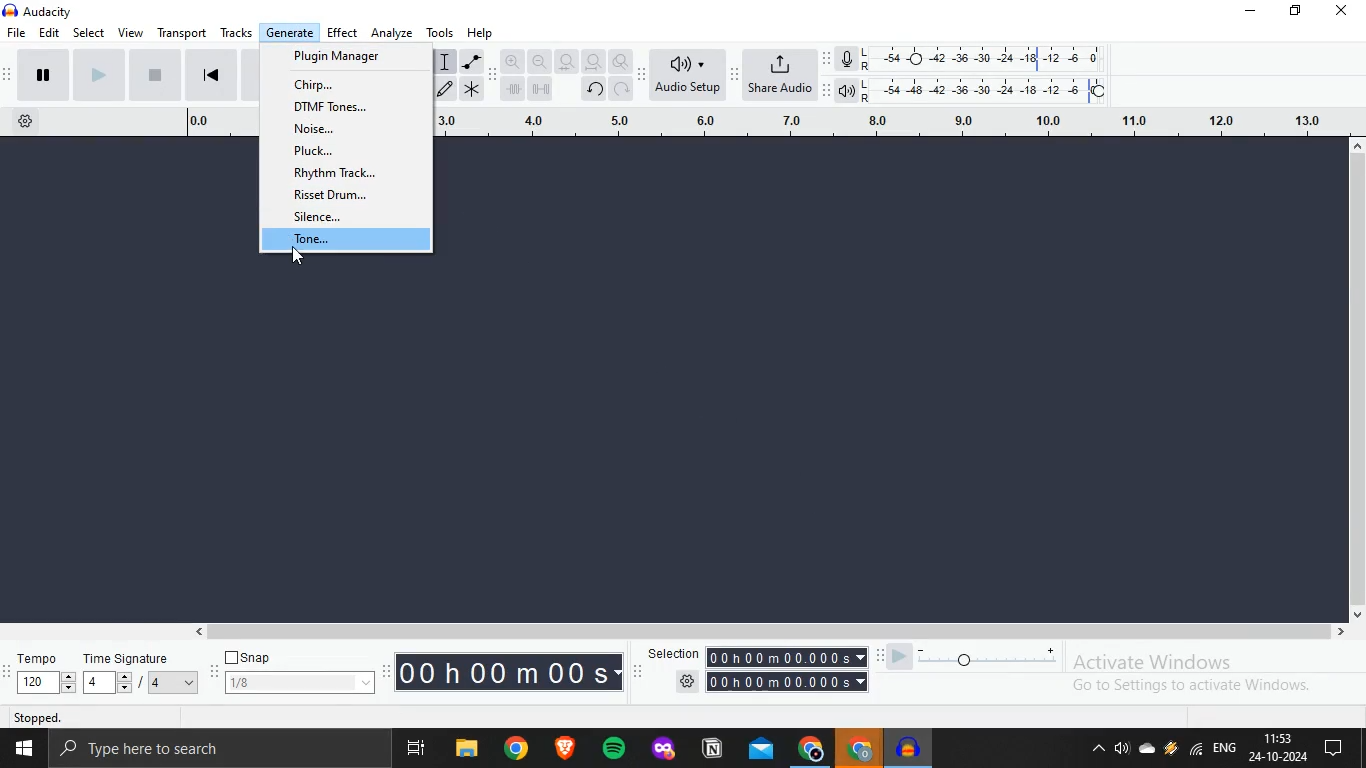 The image size is (1366, 768). Describe the element at coordinates (910, 748) in the screenshot. I see `Music Playe` at that location.